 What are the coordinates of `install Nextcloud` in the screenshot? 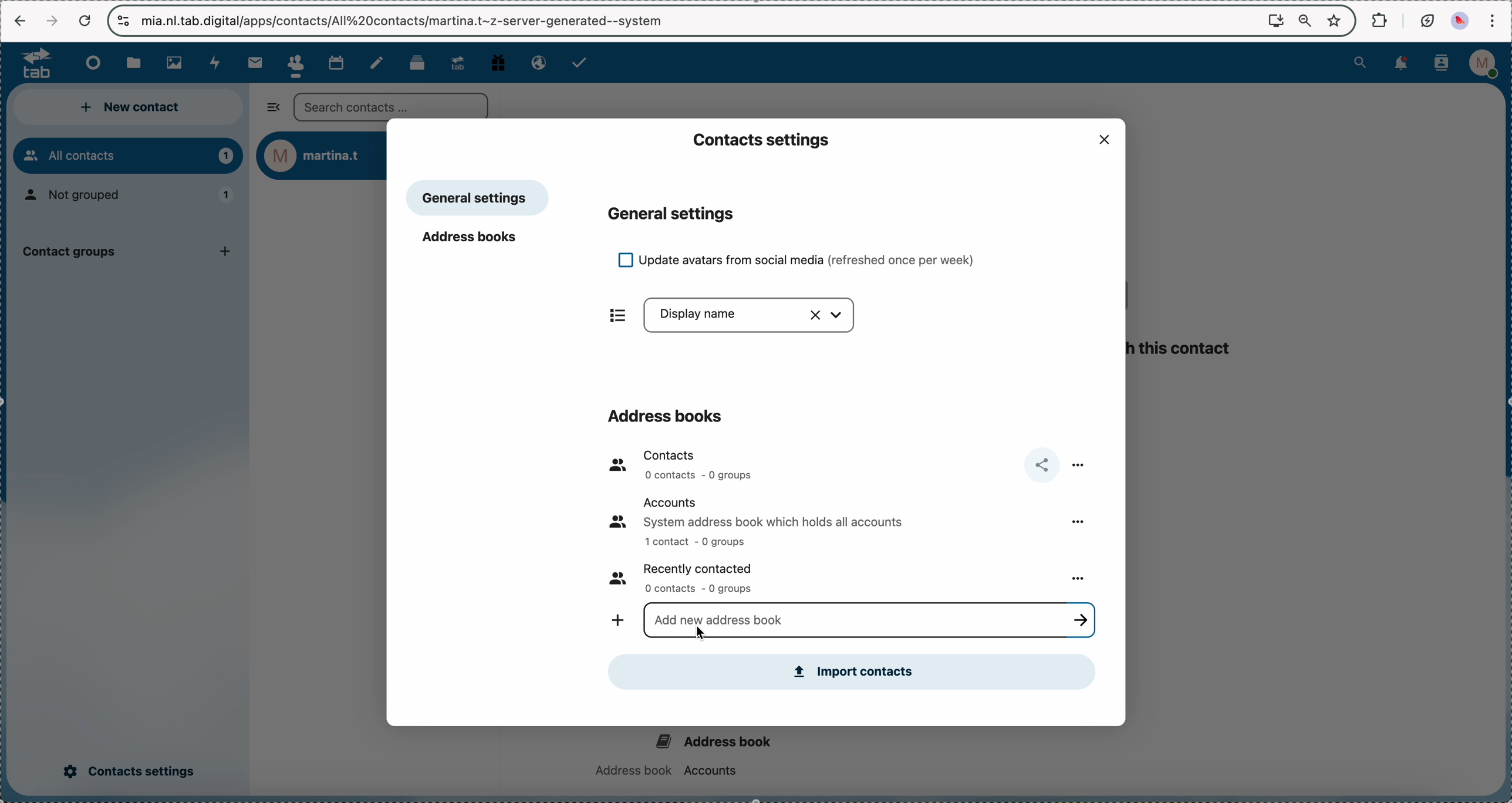 It's located at (1275, 21).